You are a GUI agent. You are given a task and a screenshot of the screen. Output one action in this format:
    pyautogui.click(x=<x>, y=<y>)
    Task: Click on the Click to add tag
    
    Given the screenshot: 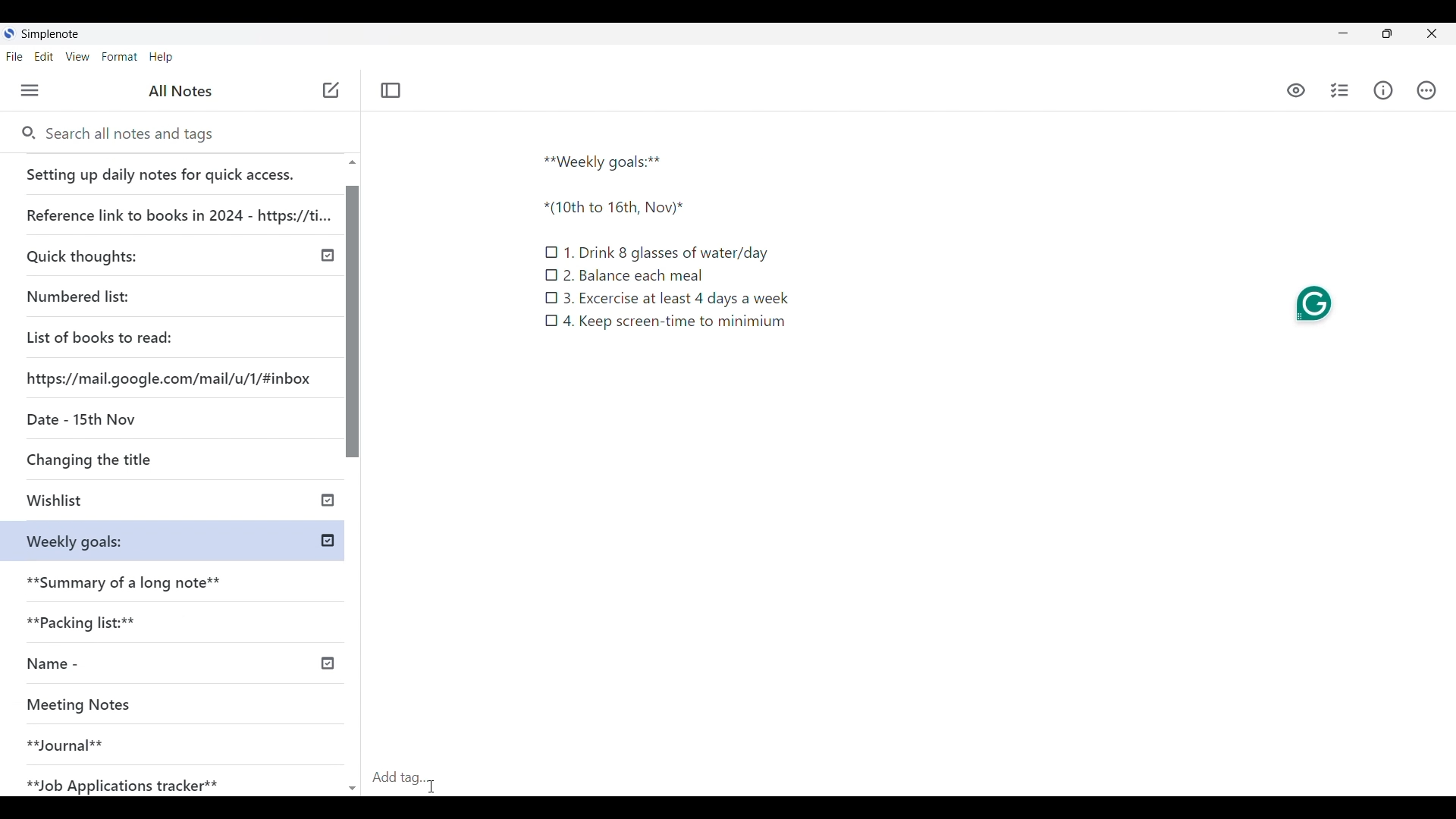 What is the action you would take?
    pyautogui.click(x=406, y=773)
    